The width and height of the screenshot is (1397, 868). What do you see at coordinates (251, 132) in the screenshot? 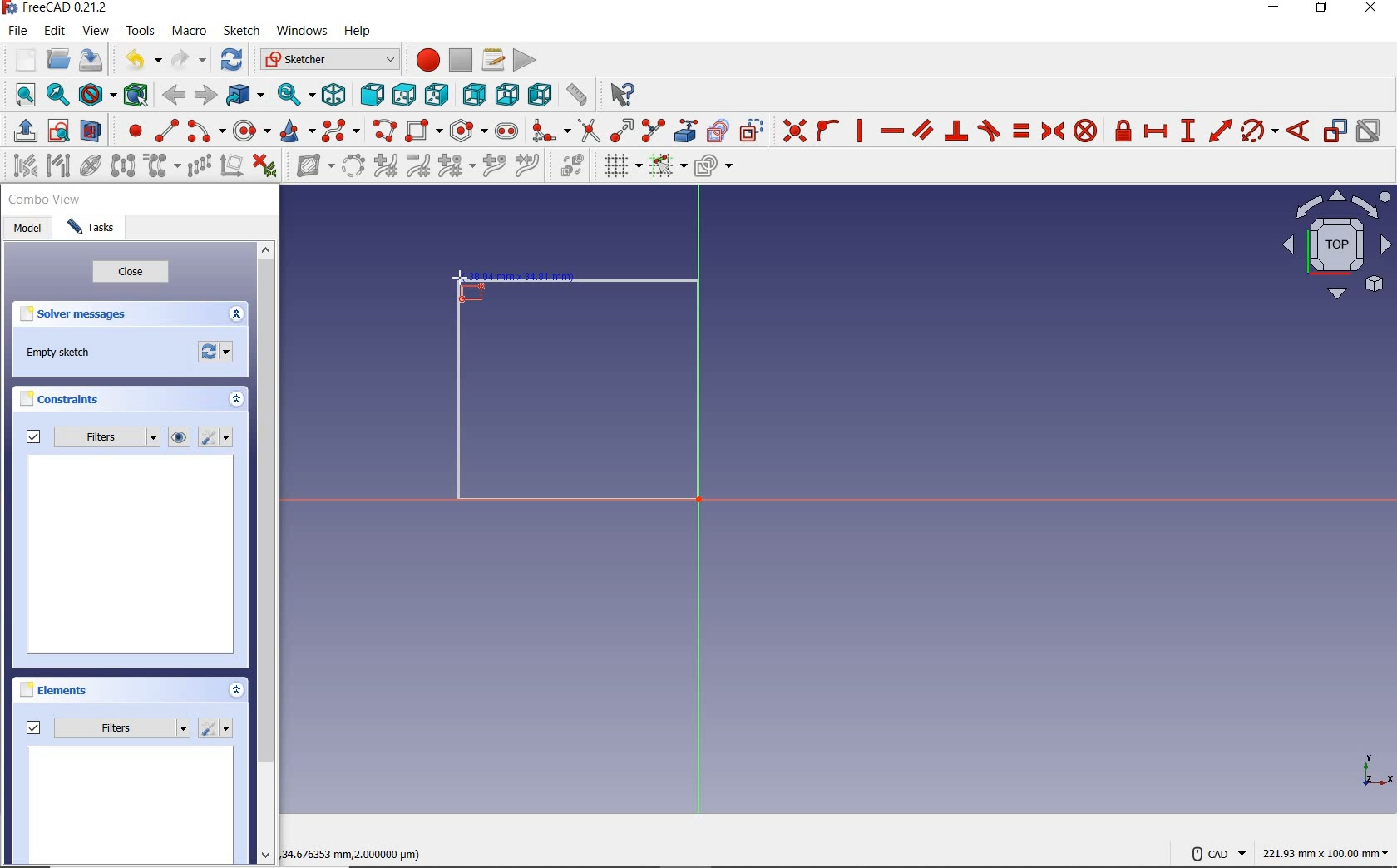
I see `create circle` at bounding box center [251, 132].